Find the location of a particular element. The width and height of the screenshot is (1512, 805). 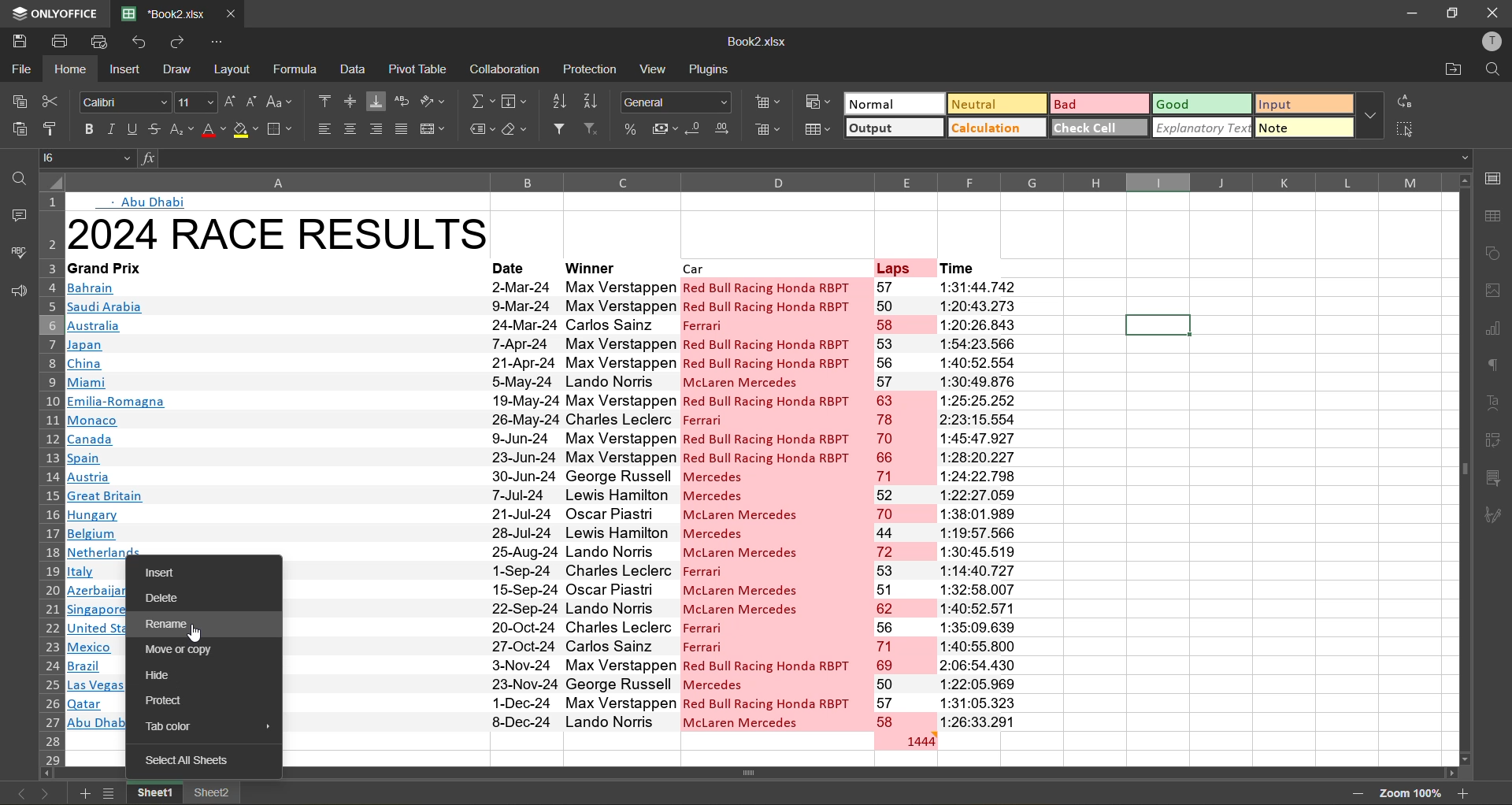

increment size is located at coordinates (230, 104).